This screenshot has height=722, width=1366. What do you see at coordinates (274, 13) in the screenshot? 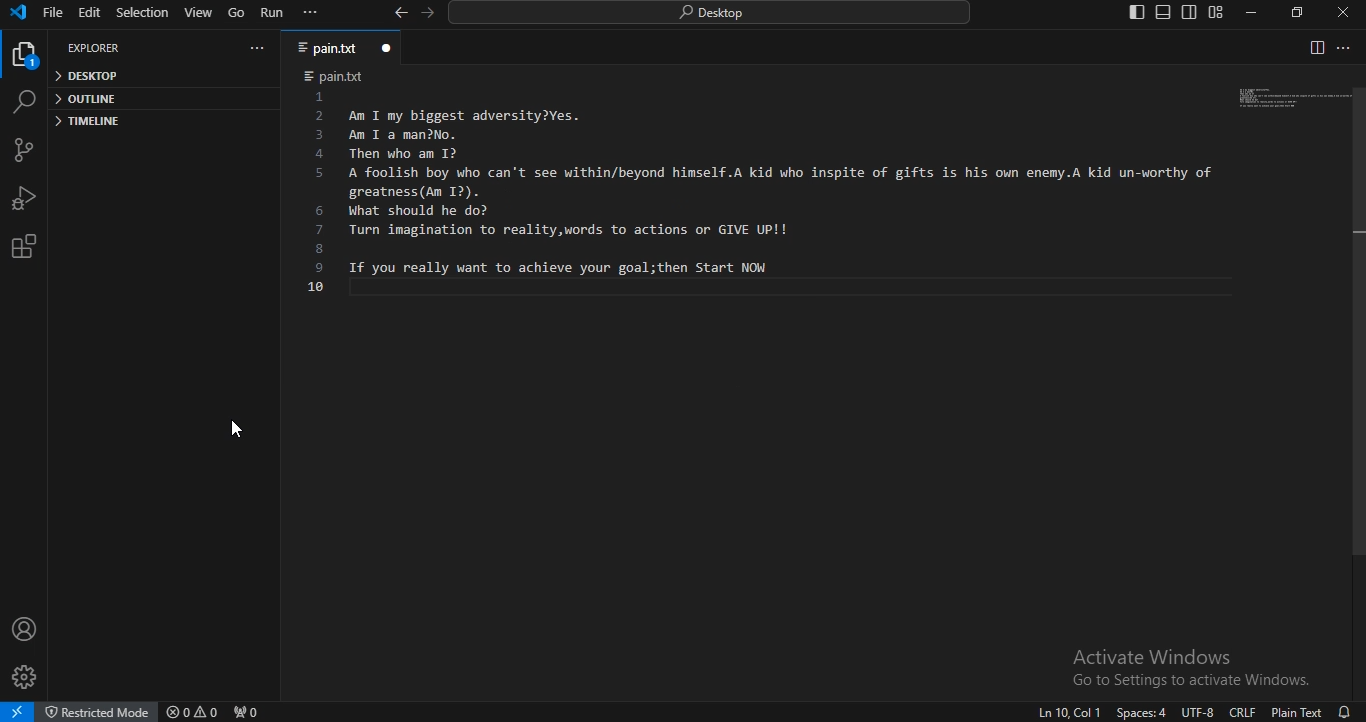
I see `run` at bounding box center [274, 13].